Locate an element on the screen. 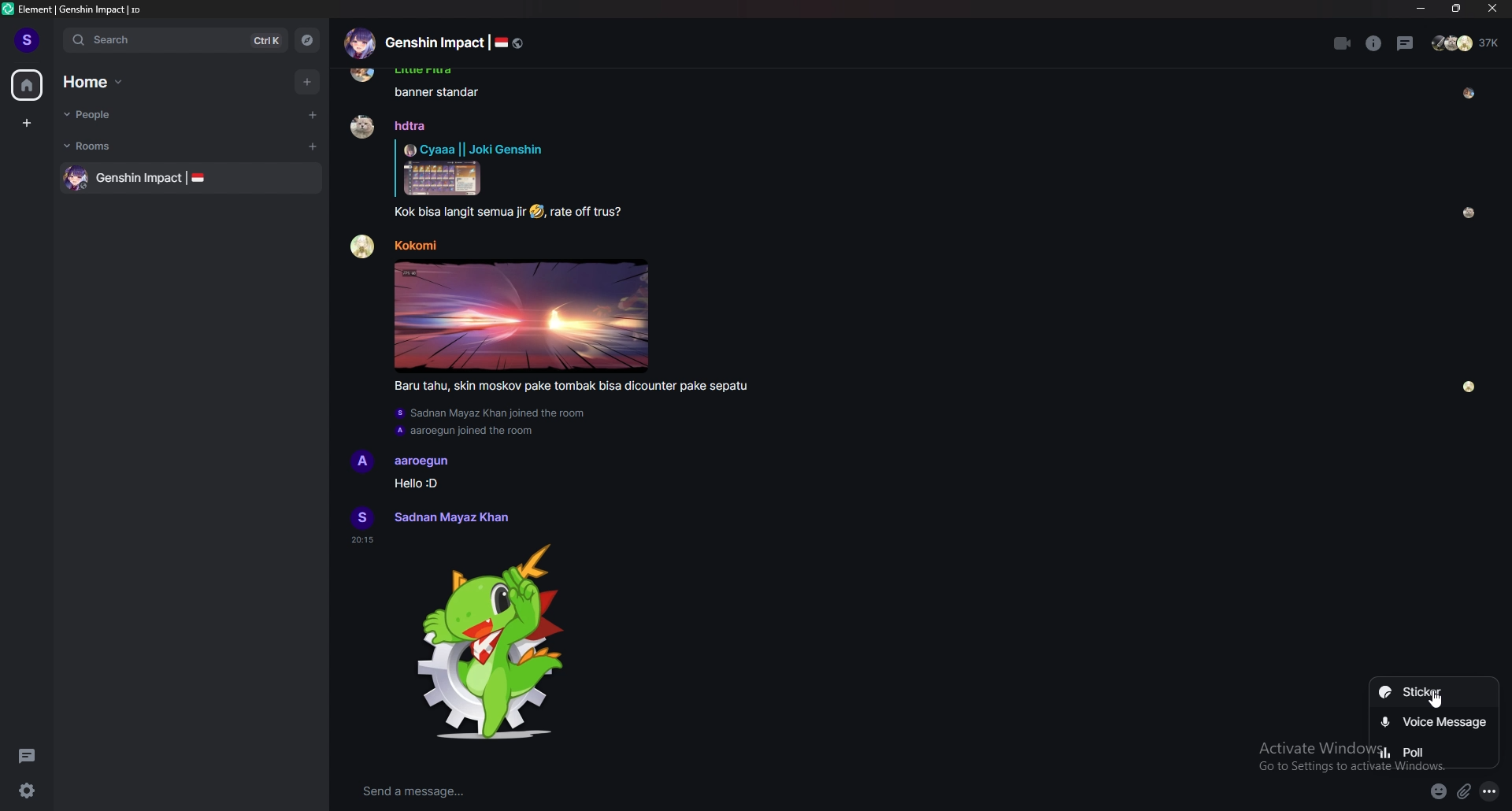 The image size is (1512, 811). Sadnan Mayaz Khan is located at coordinates (450, 517).